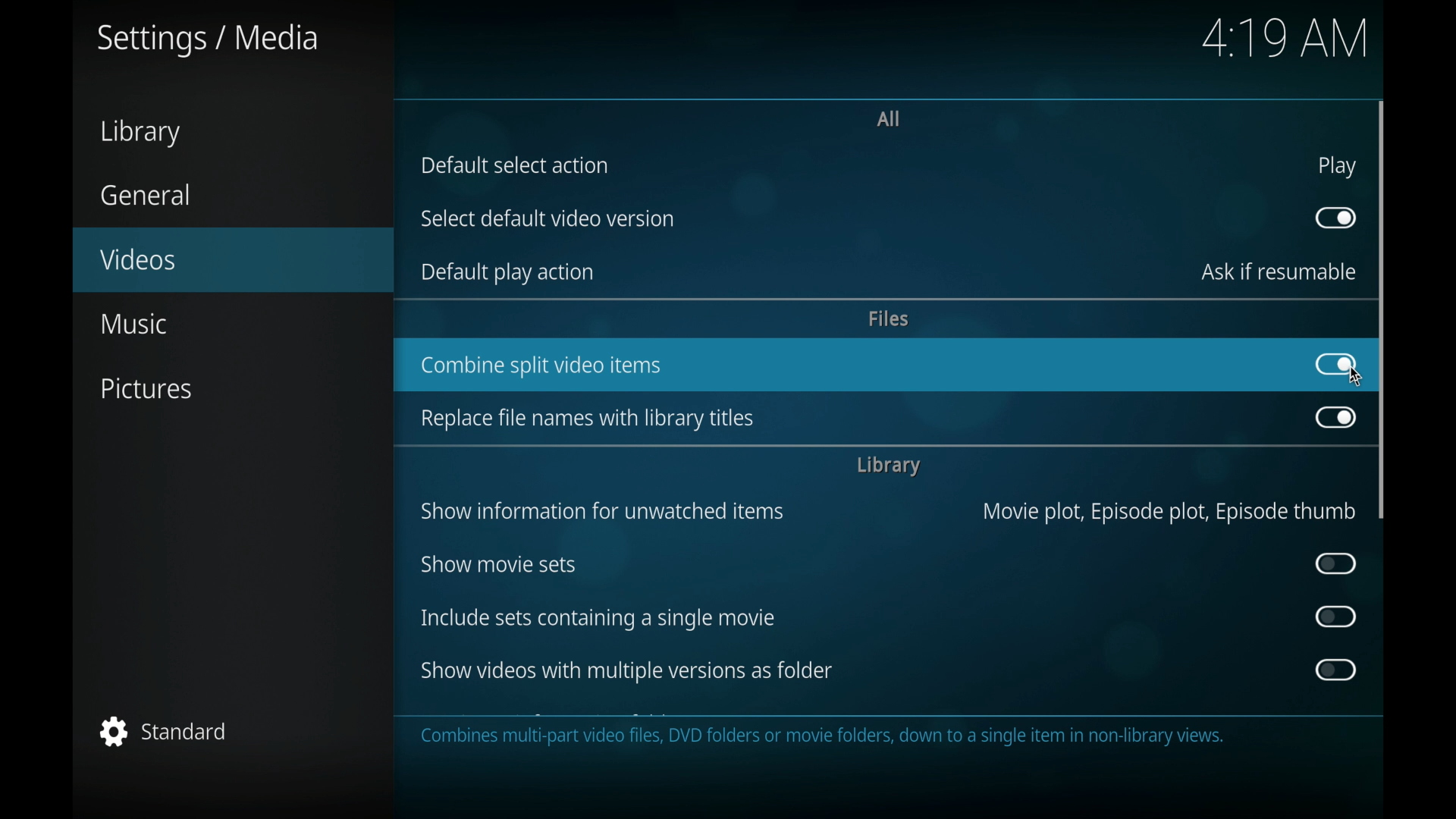 The width and height of the screenshot is (1456, 819). I want to click on movie plot, so click(1169, 513).